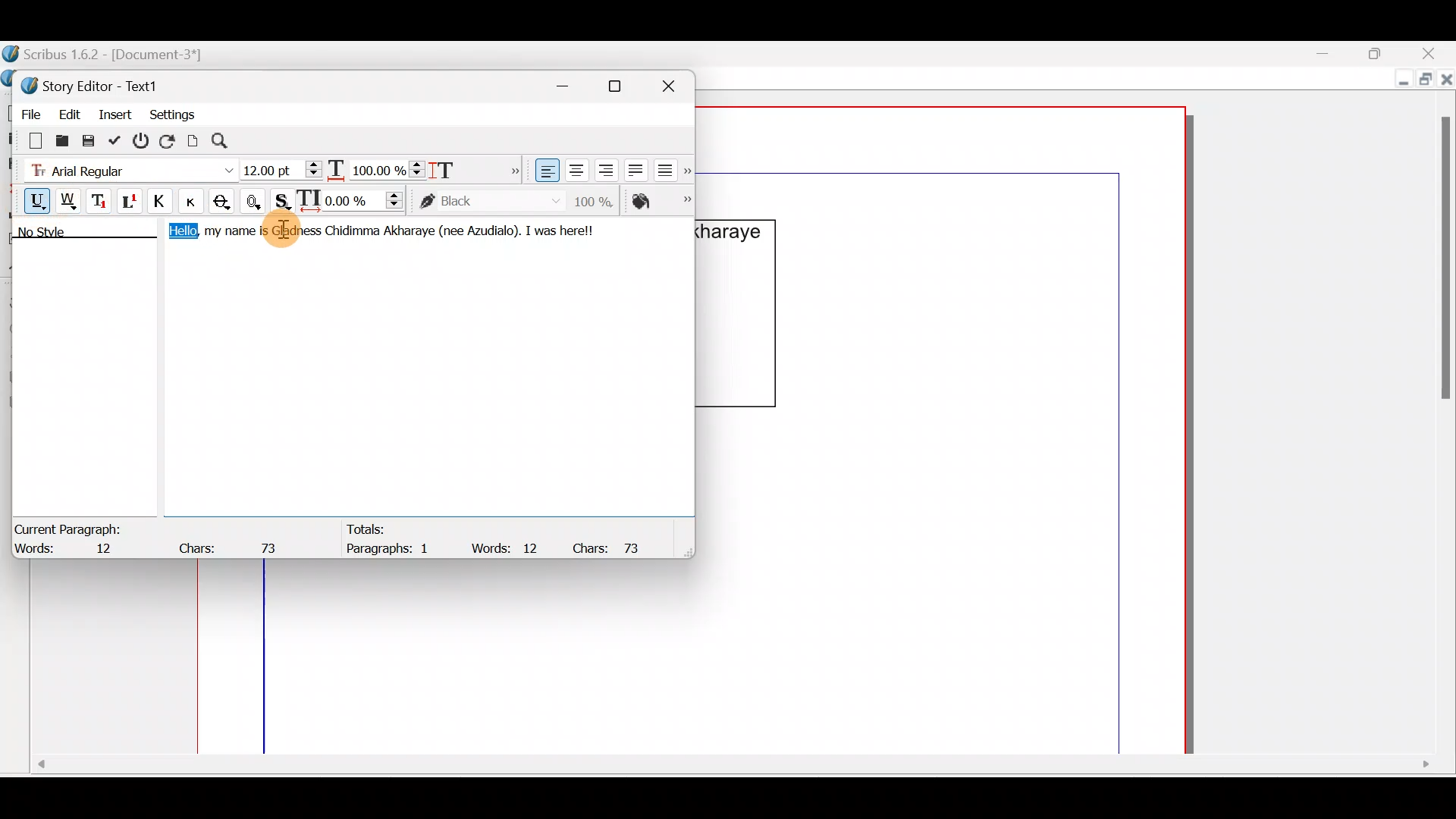 Image resolution: width=1456 pixels, height=819 pixels. Describe the element at coordinates (118, 138) in the screenshot. I see `Update text frame and exit` at that location.